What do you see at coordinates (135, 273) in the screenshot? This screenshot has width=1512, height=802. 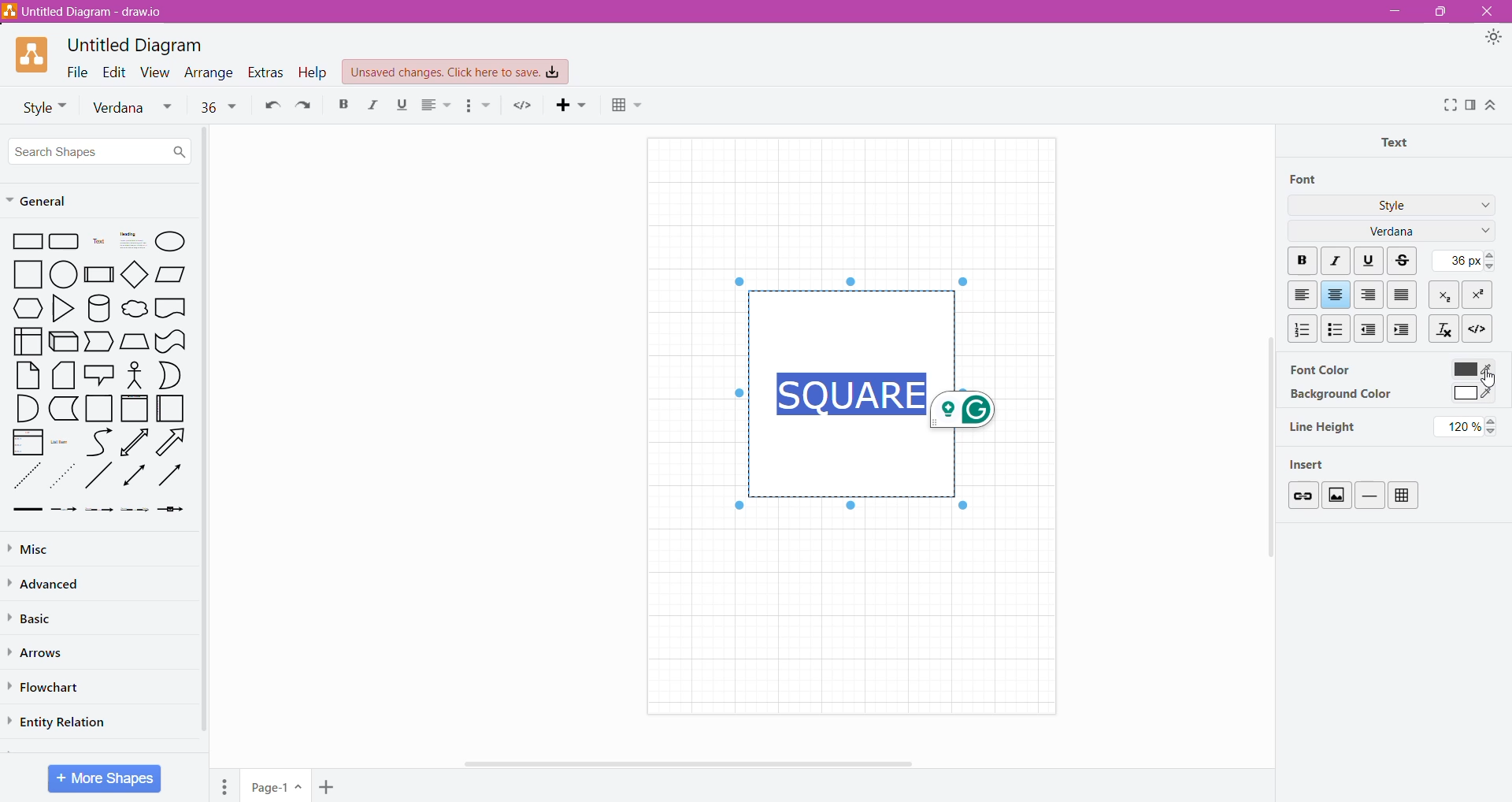 I see `Diamond` at bounding box center [135, 273].